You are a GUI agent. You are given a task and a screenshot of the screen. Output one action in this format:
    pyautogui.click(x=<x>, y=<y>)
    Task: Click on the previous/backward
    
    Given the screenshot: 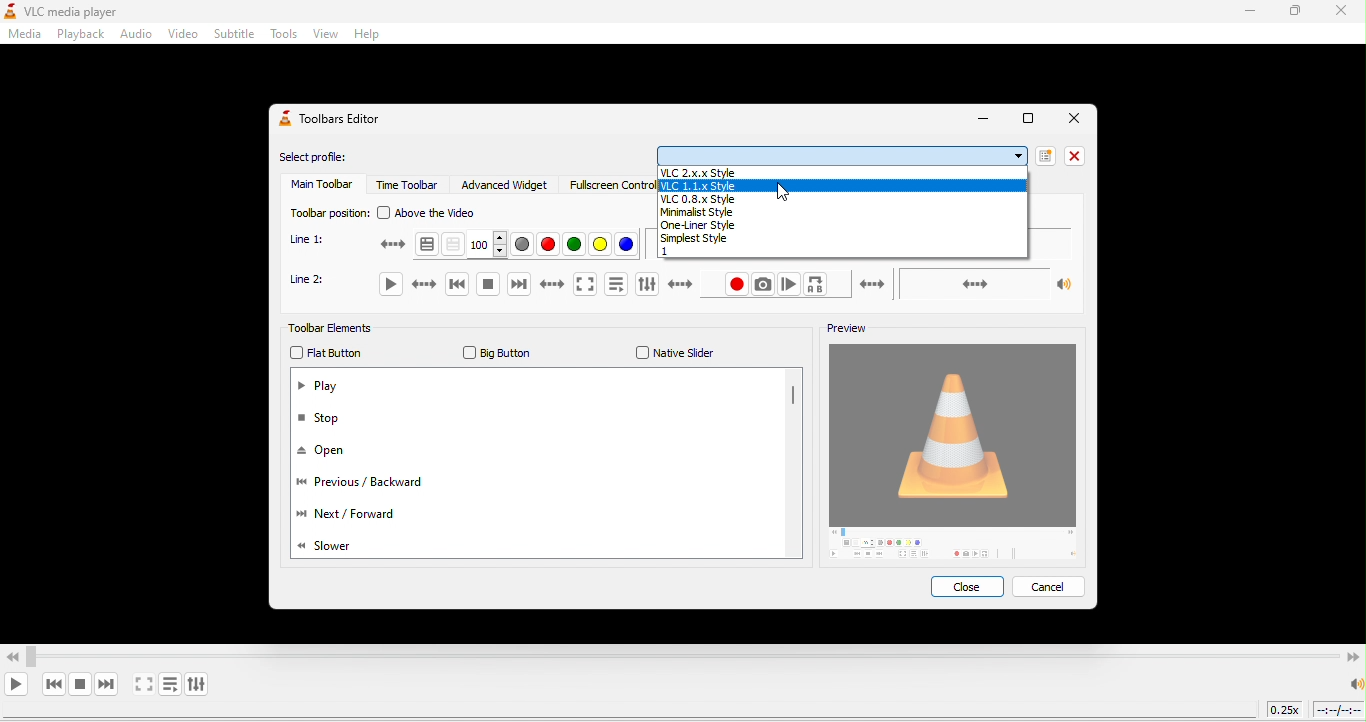 What is the action you would take?
    pyautogui.click(x=365, y=484)
    